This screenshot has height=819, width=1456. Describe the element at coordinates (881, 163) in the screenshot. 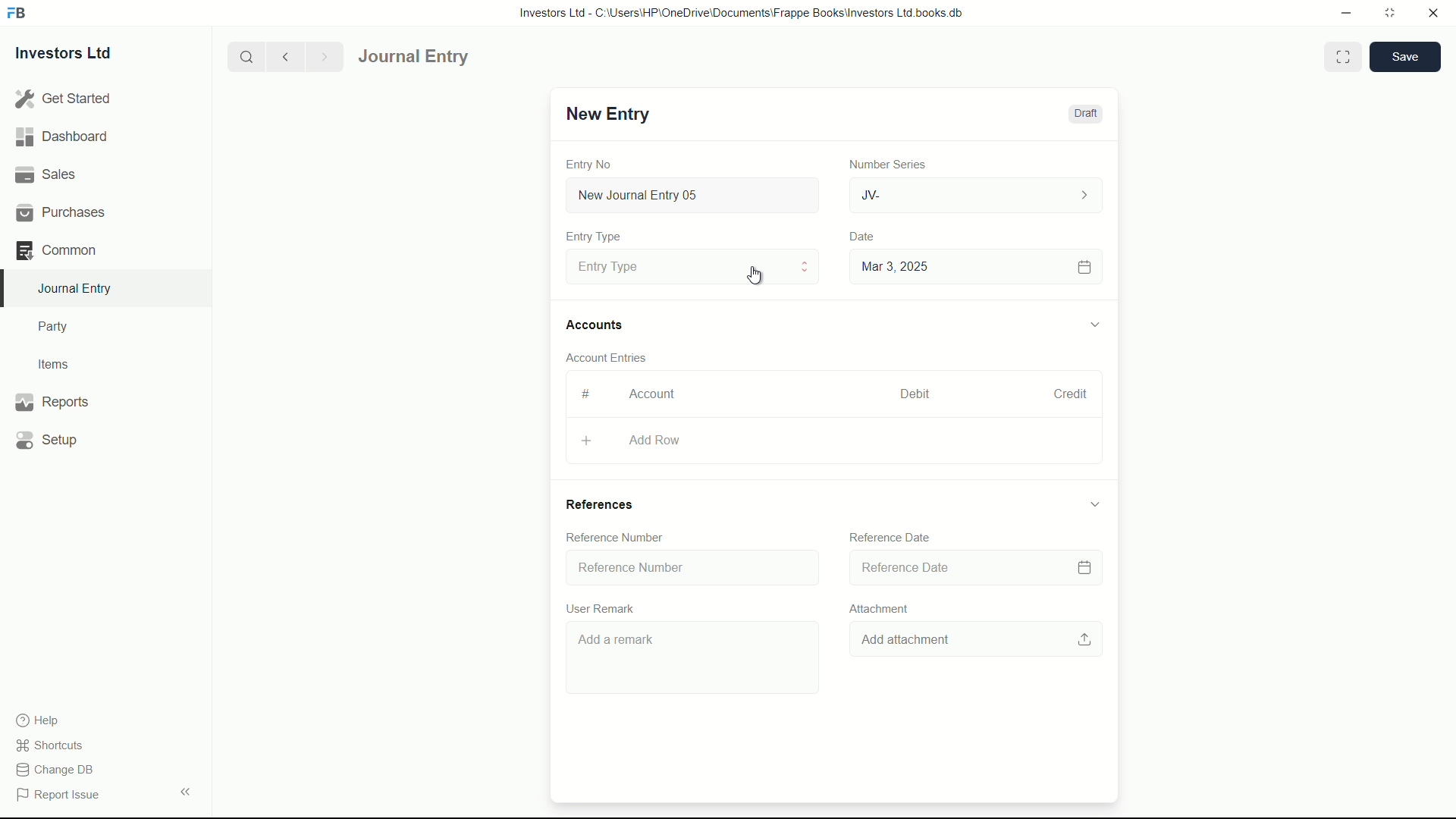

I see `Number Series` at that location.